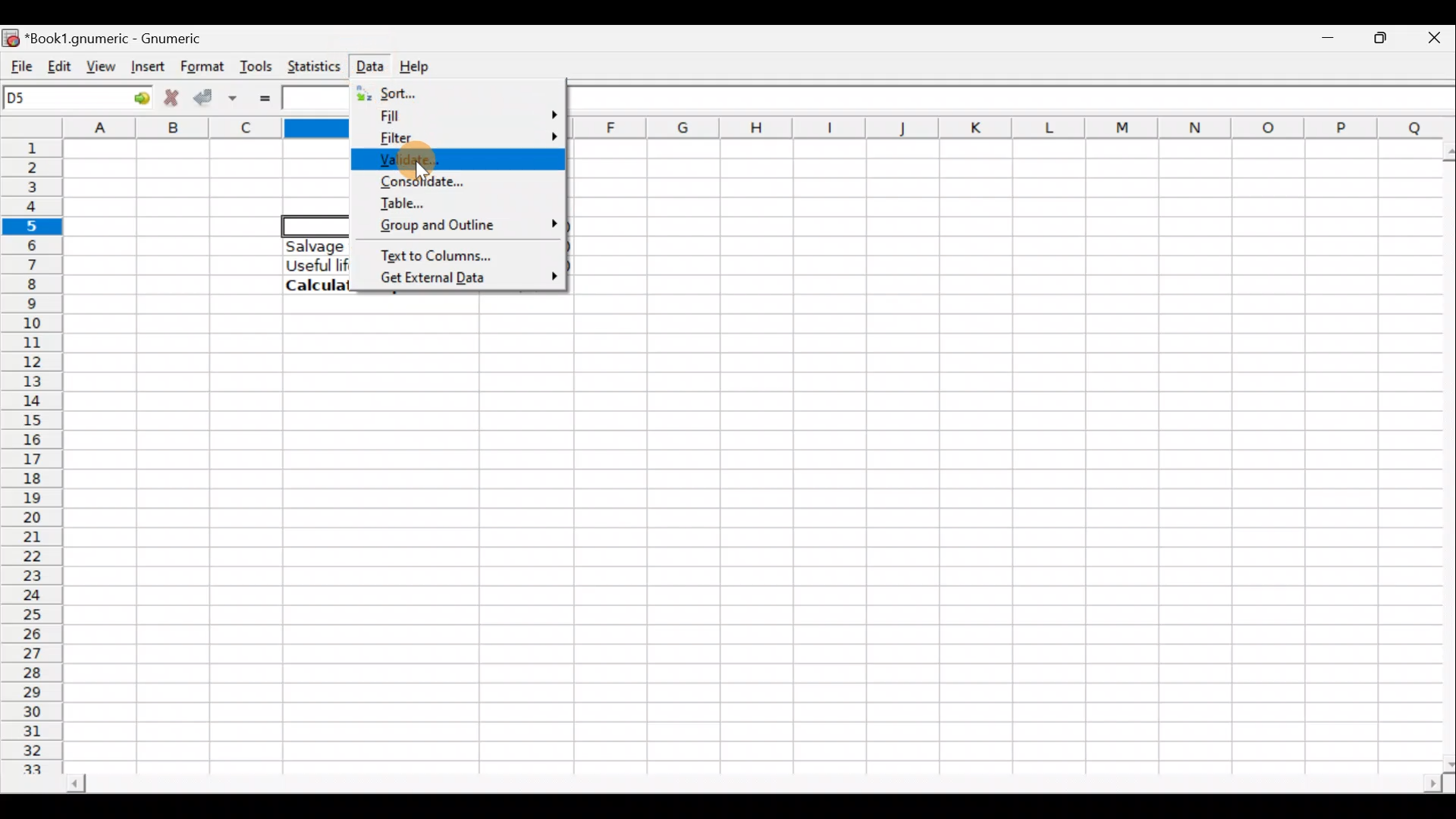 The width and height of the screenshot is (1456, 819). What do you see at coordinates (460, 140) in the screenshot?
I see `Filter` at bounding box center [460, 140].